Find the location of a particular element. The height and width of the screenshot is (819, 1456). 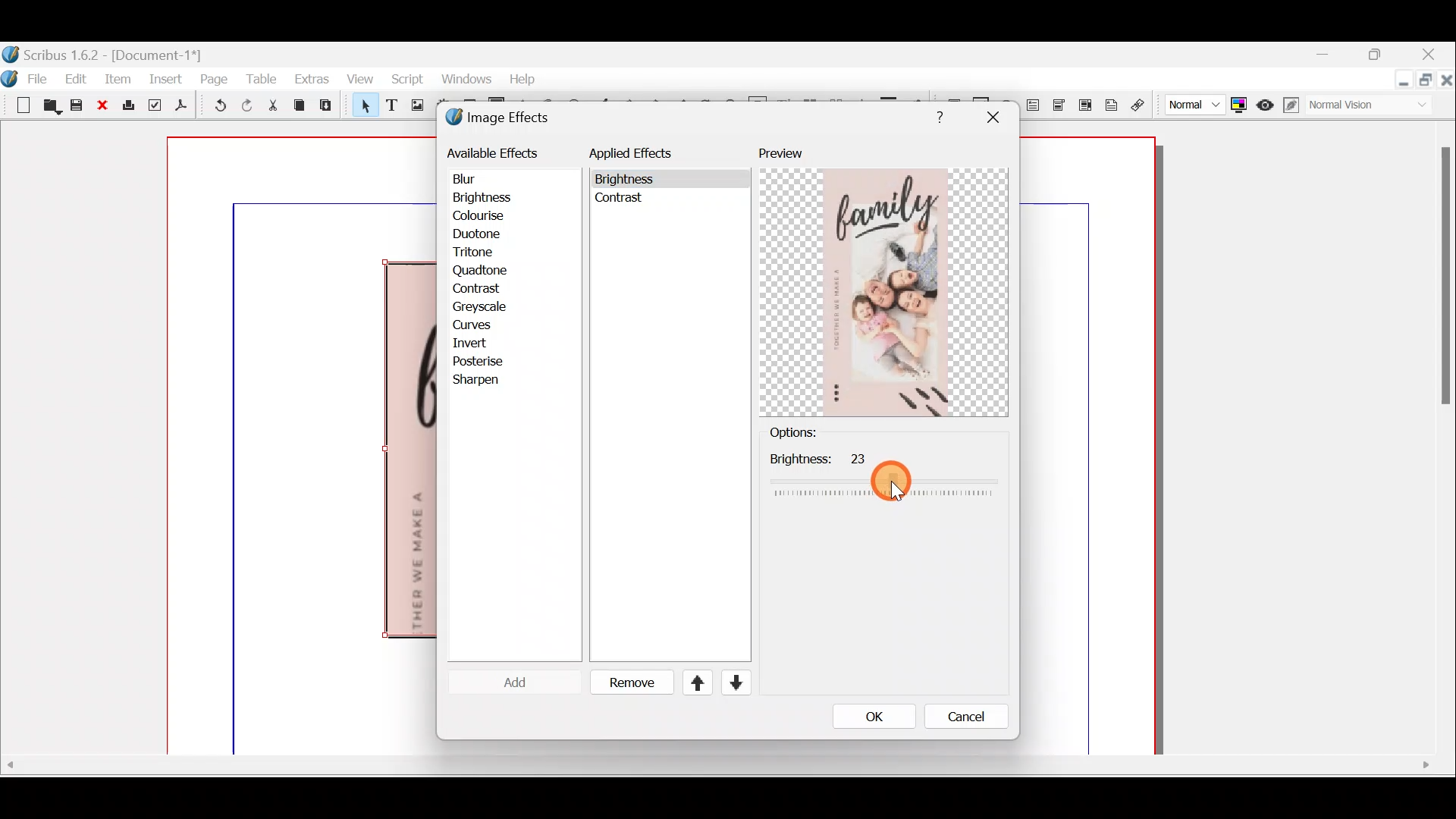

Close is located at coordinates (1430, 56).